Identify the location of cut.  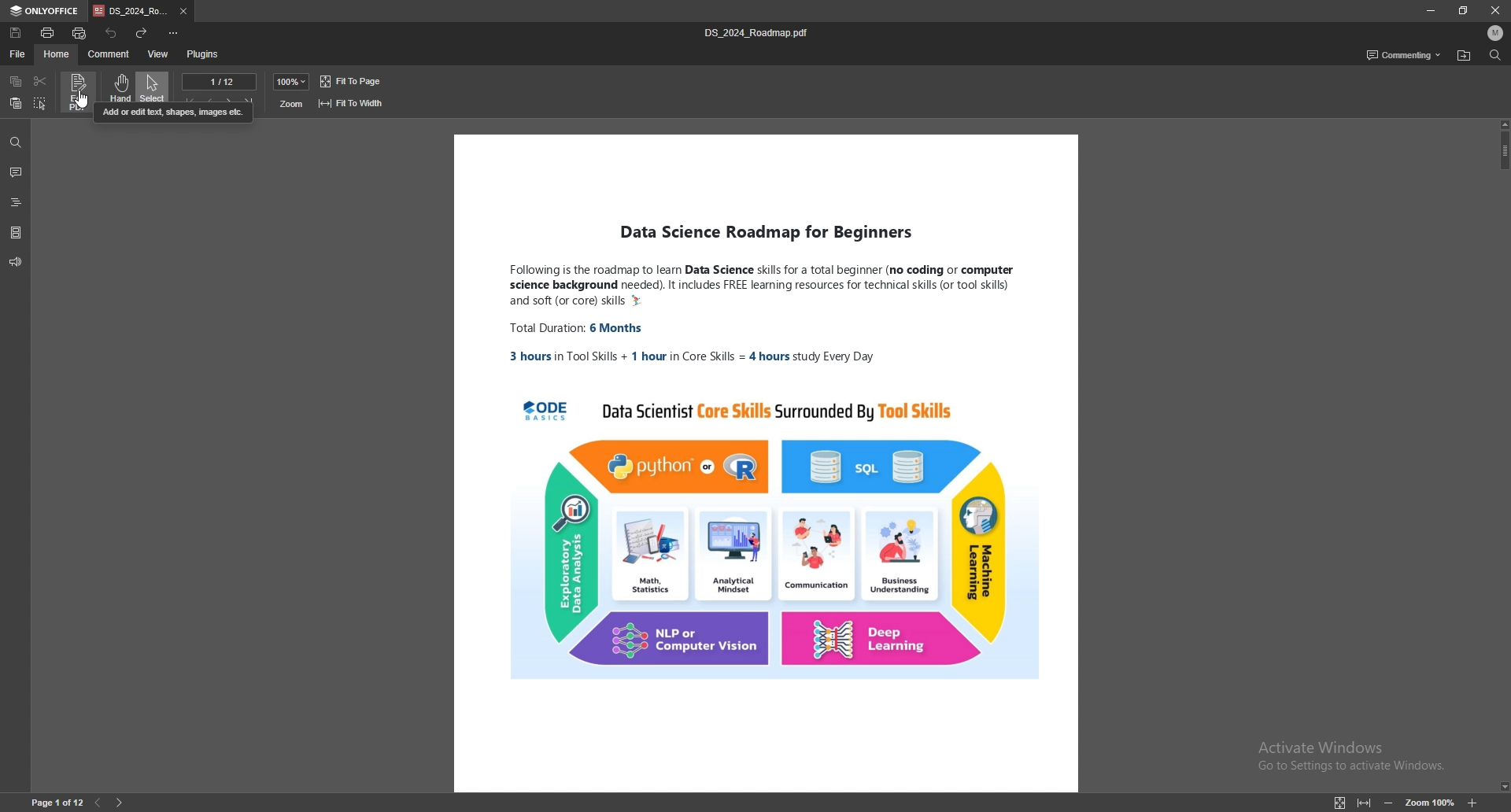
(39, 80).